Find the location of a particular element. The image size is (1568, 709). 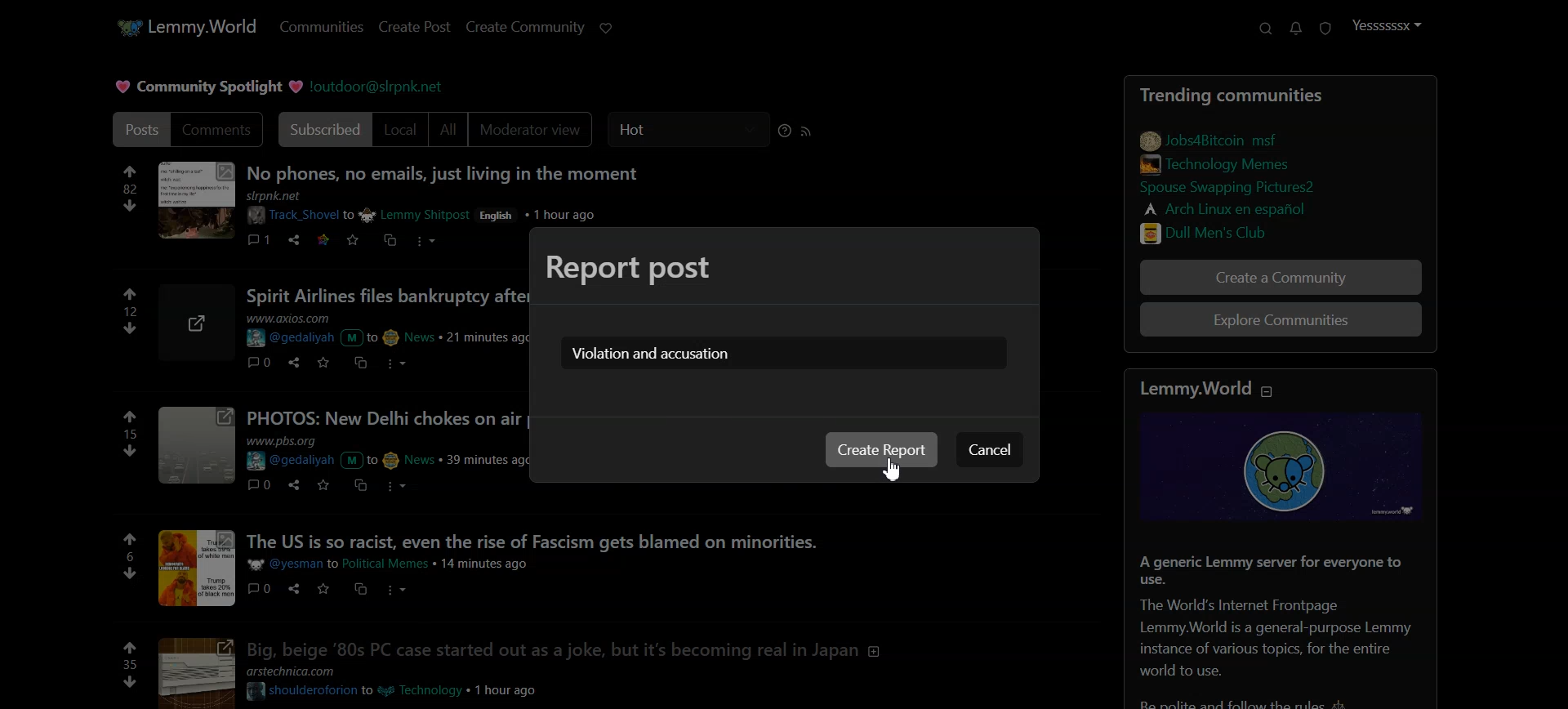

Unread report is located at coordinates (1324, 28).